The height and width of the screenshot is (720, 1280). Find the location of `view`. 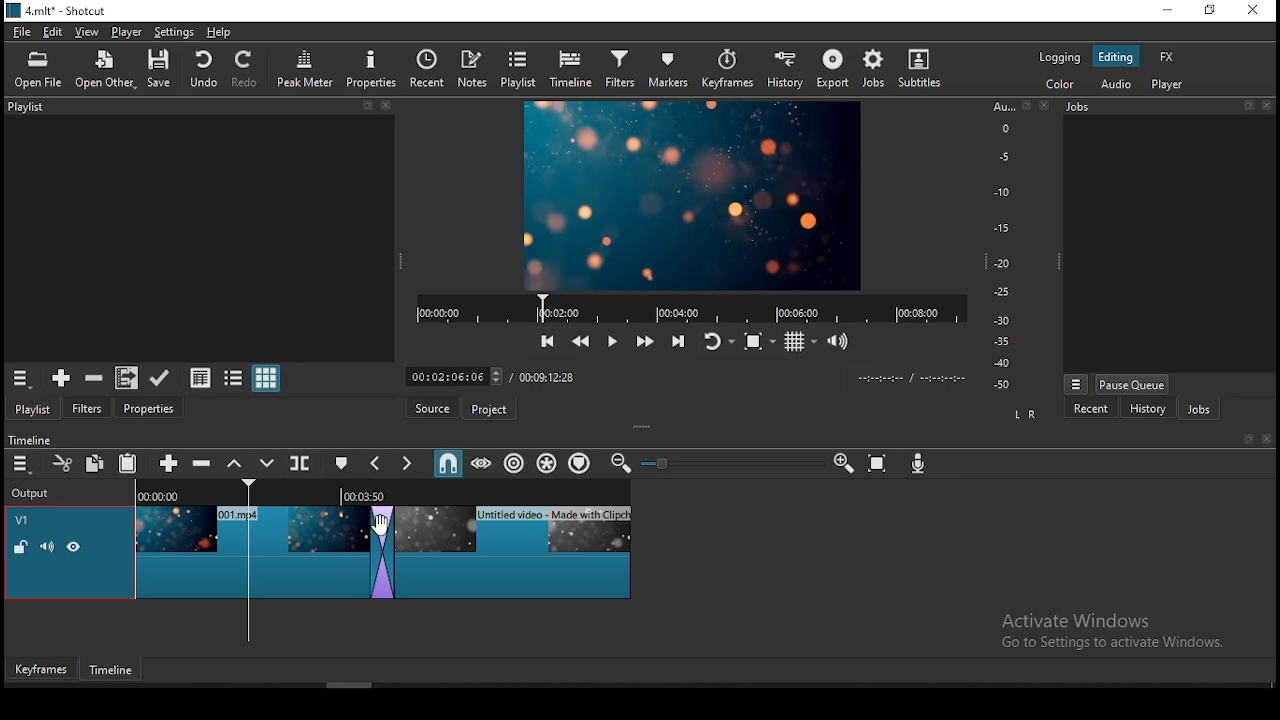

view is located at coordinates (85, 31).